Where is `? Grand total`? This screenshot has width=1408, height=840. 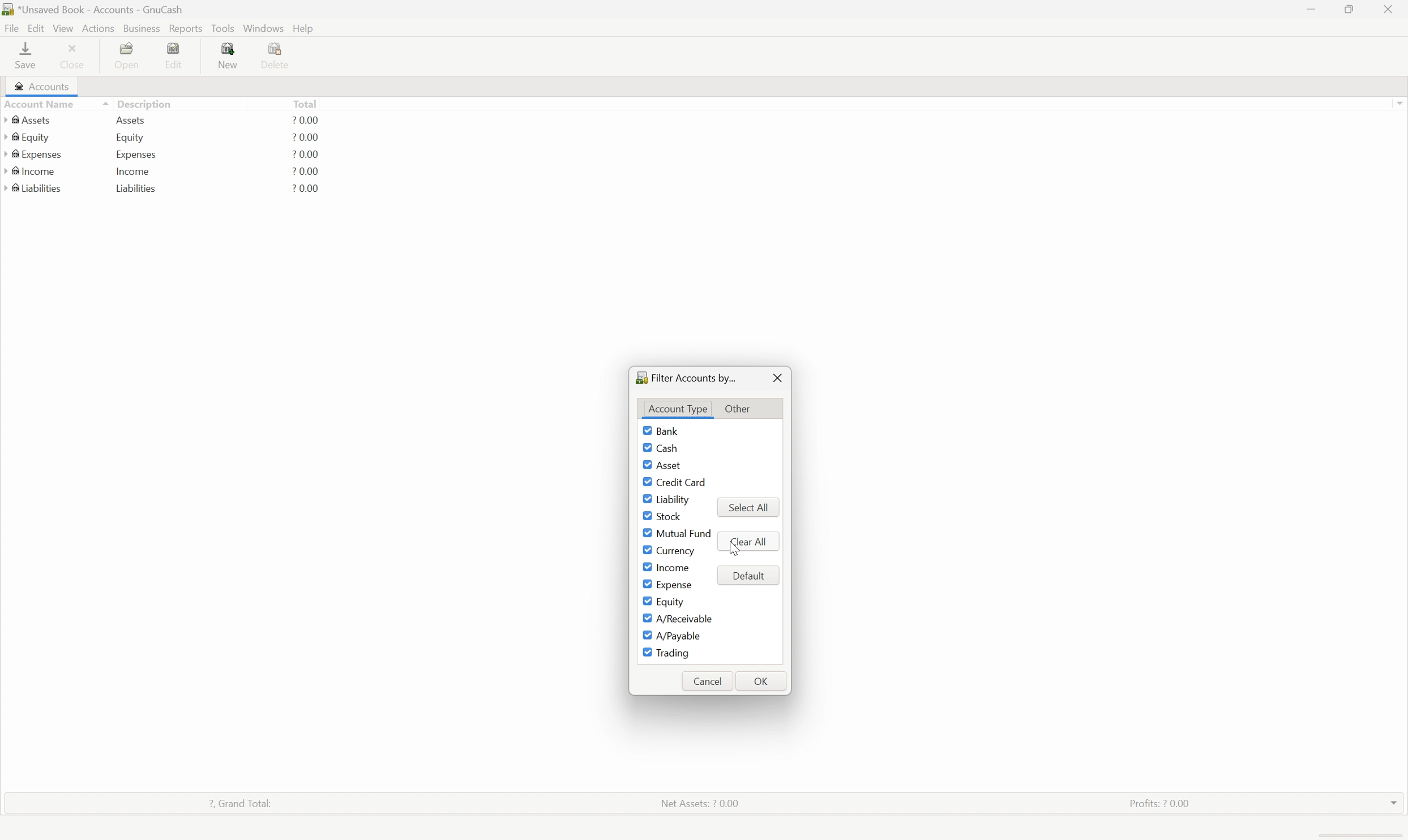
? Grand total is located at coordinates (238, 802).